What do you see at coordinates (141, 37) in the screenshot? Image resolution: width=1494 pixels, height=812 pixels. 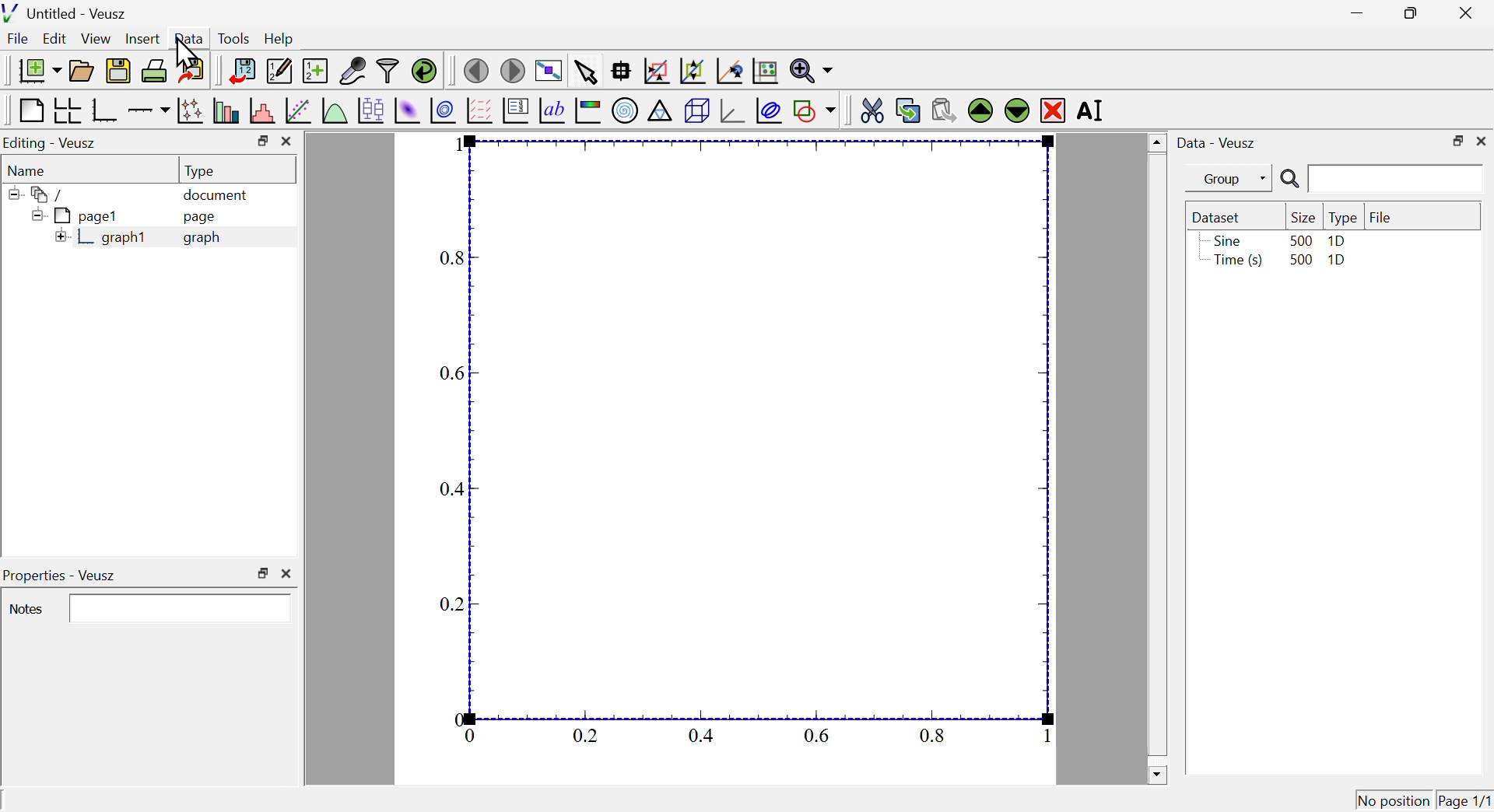 I see `Insert` at bounding box center [141, 37].